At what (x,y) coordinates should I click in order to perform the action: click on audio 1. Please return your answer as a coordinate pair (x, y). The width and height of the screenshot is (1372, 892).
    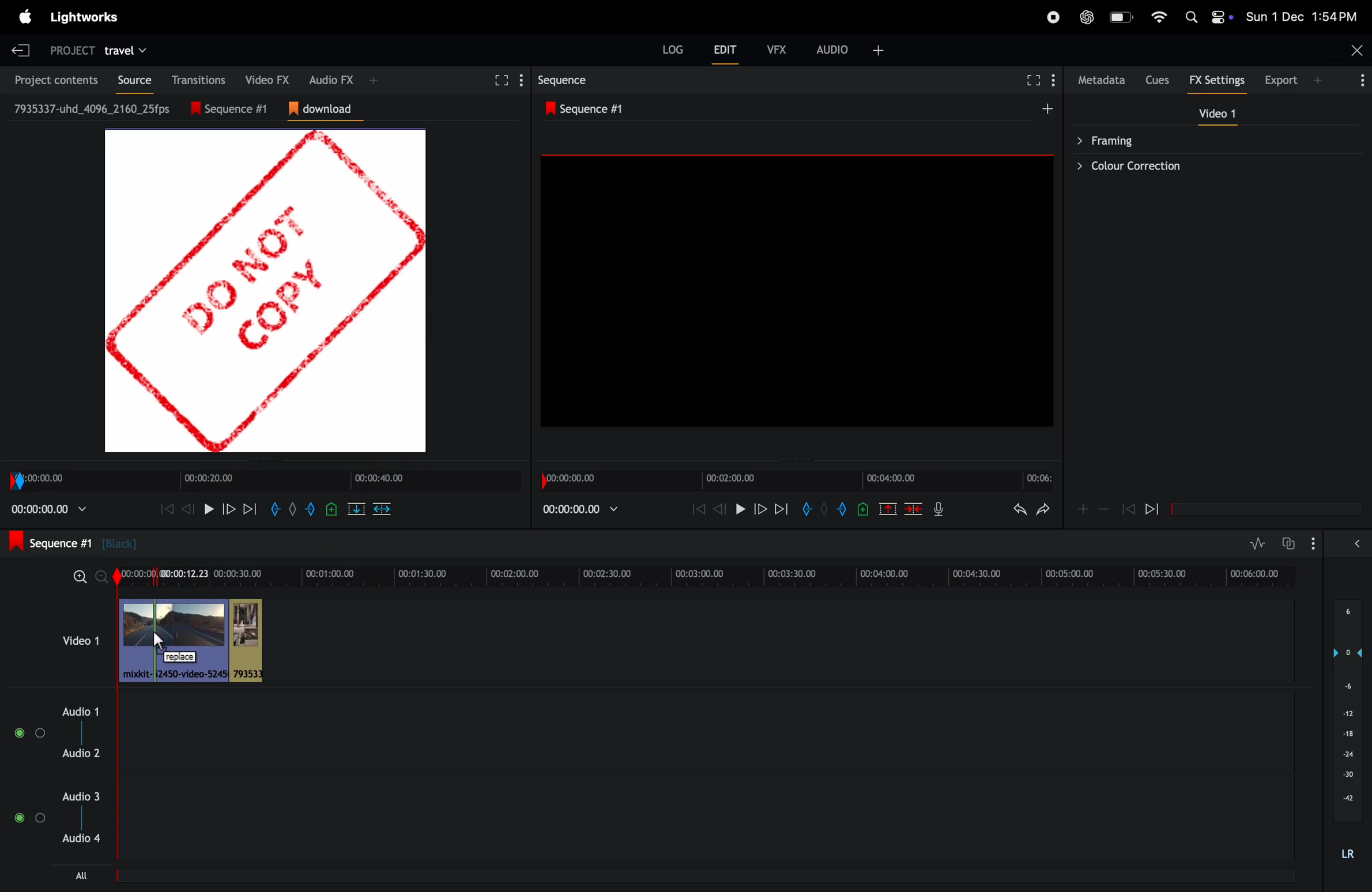
    Looking at the image, I should click on (77, 712).